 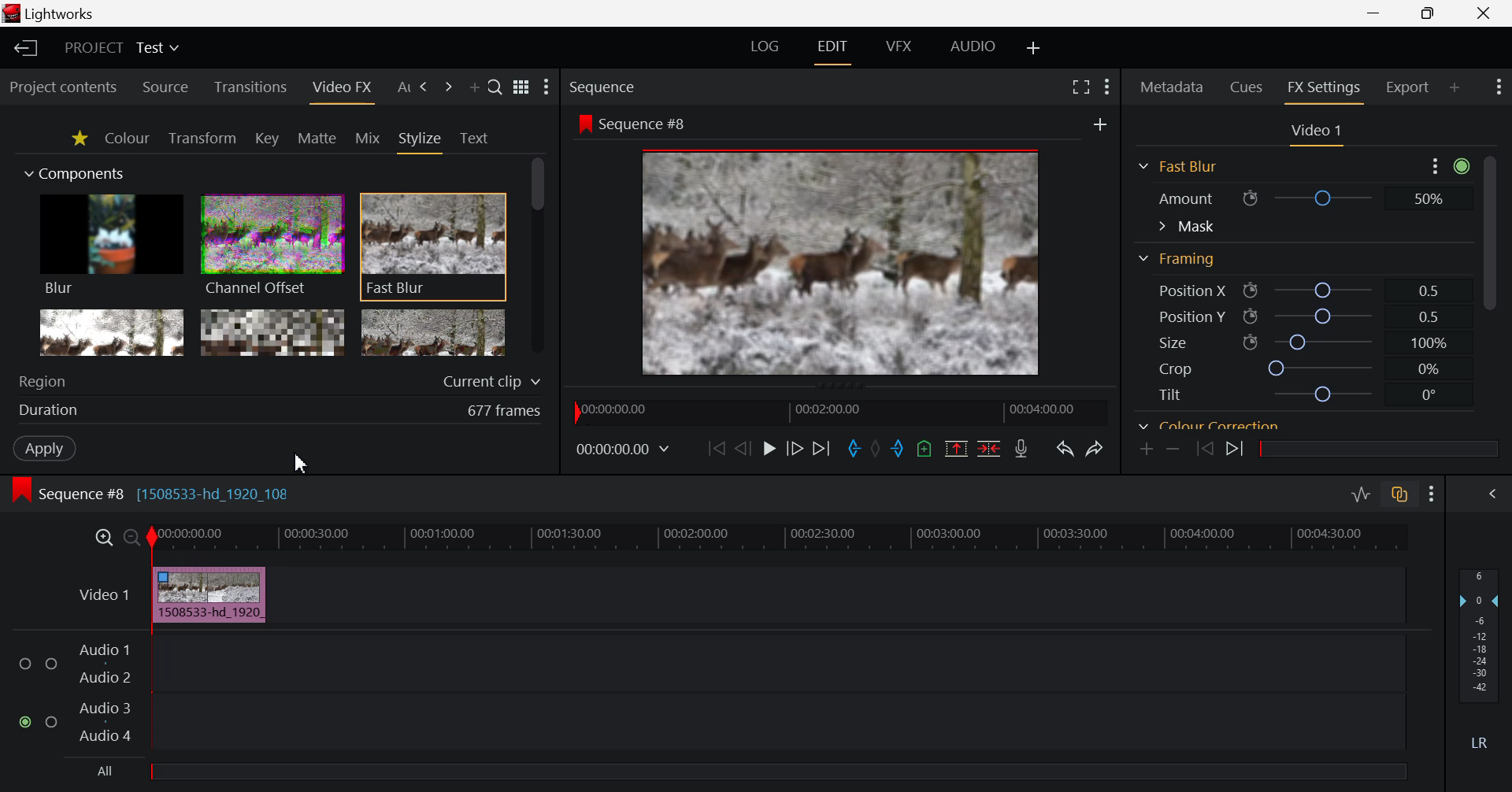 I want to click on Mark In, so click(x=855, y=446).